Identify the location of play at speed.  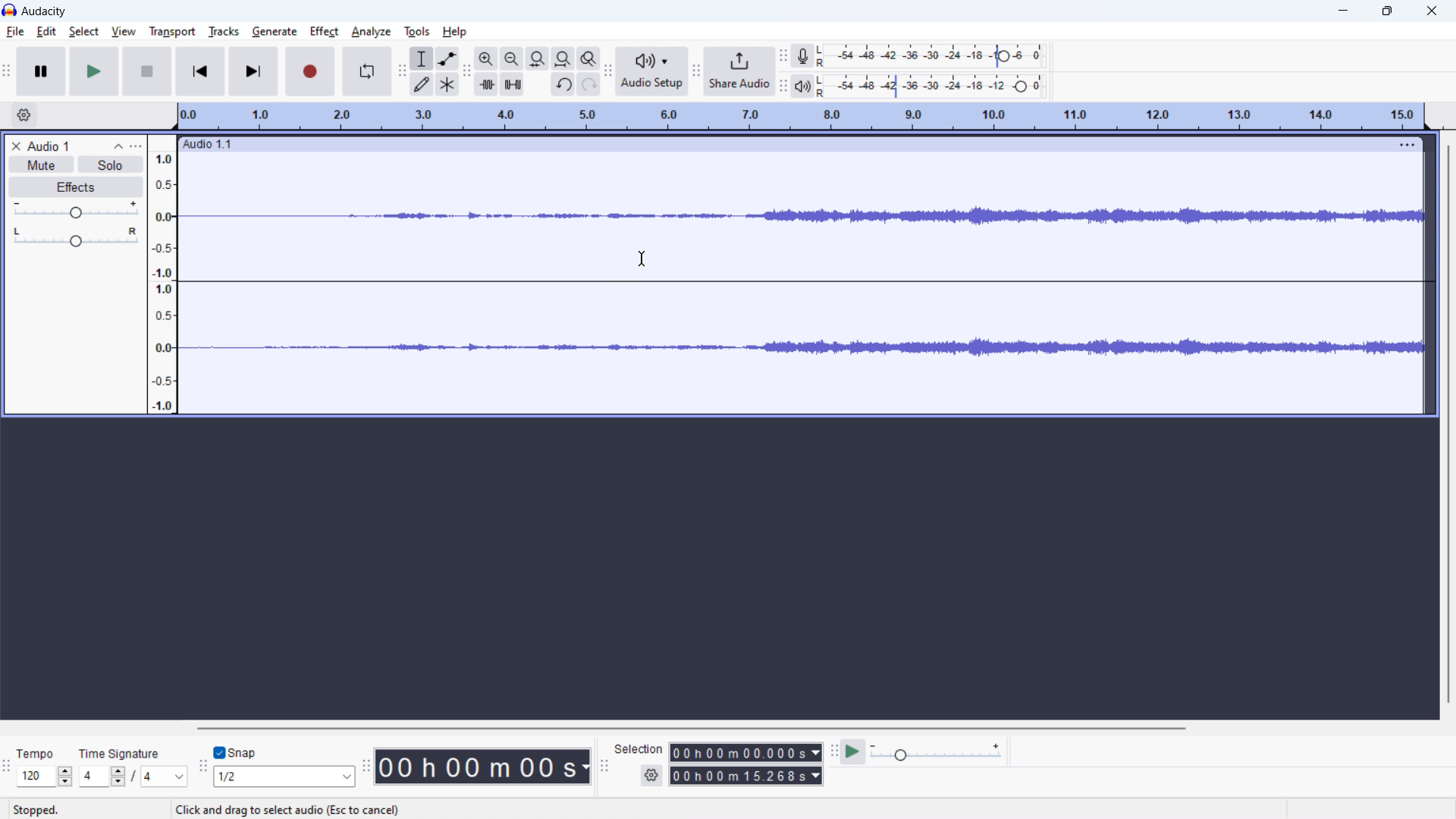
(854, 752).